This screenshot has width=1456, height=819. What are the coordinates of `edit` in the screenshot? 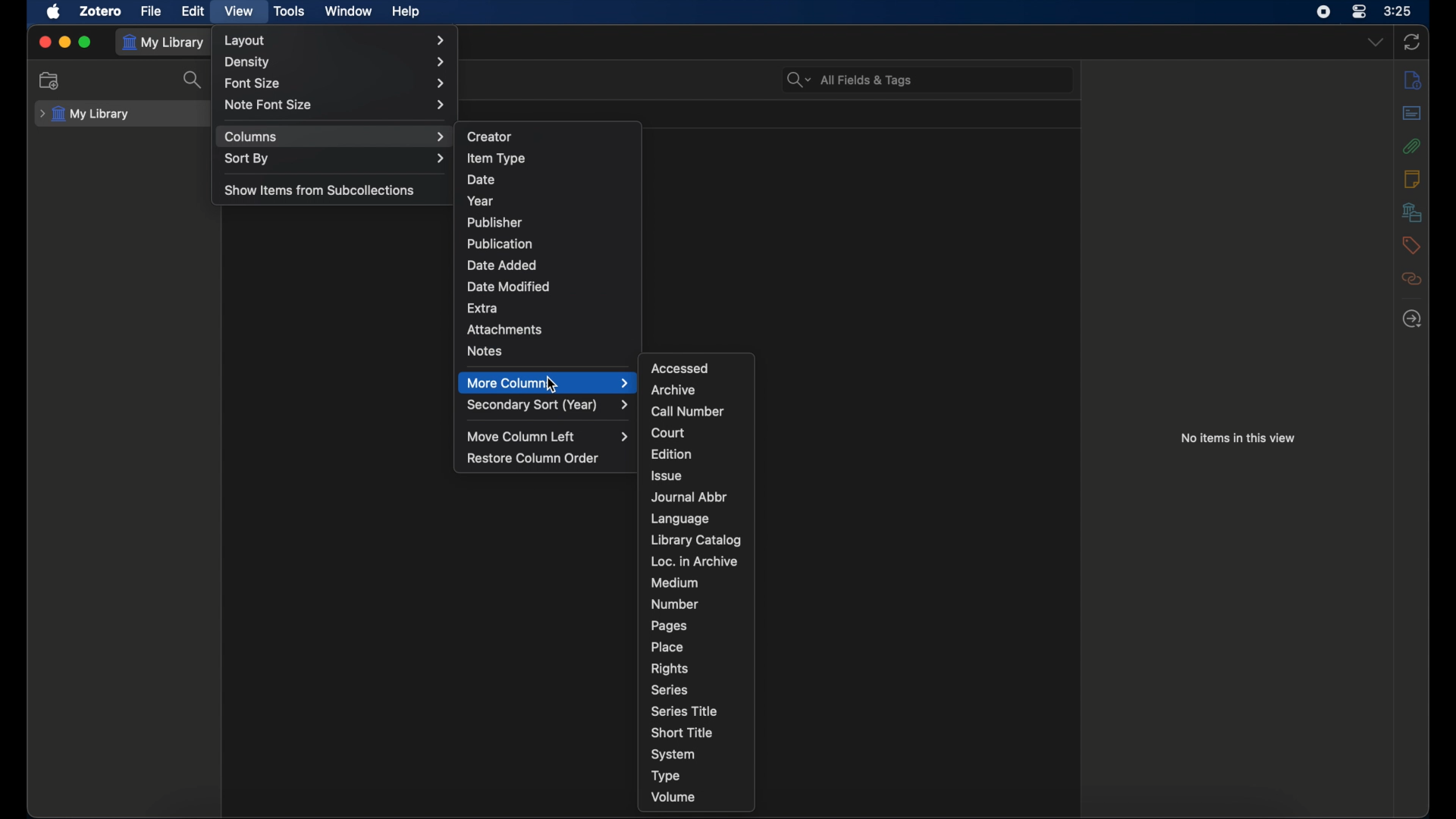 It's located at (192, 12).